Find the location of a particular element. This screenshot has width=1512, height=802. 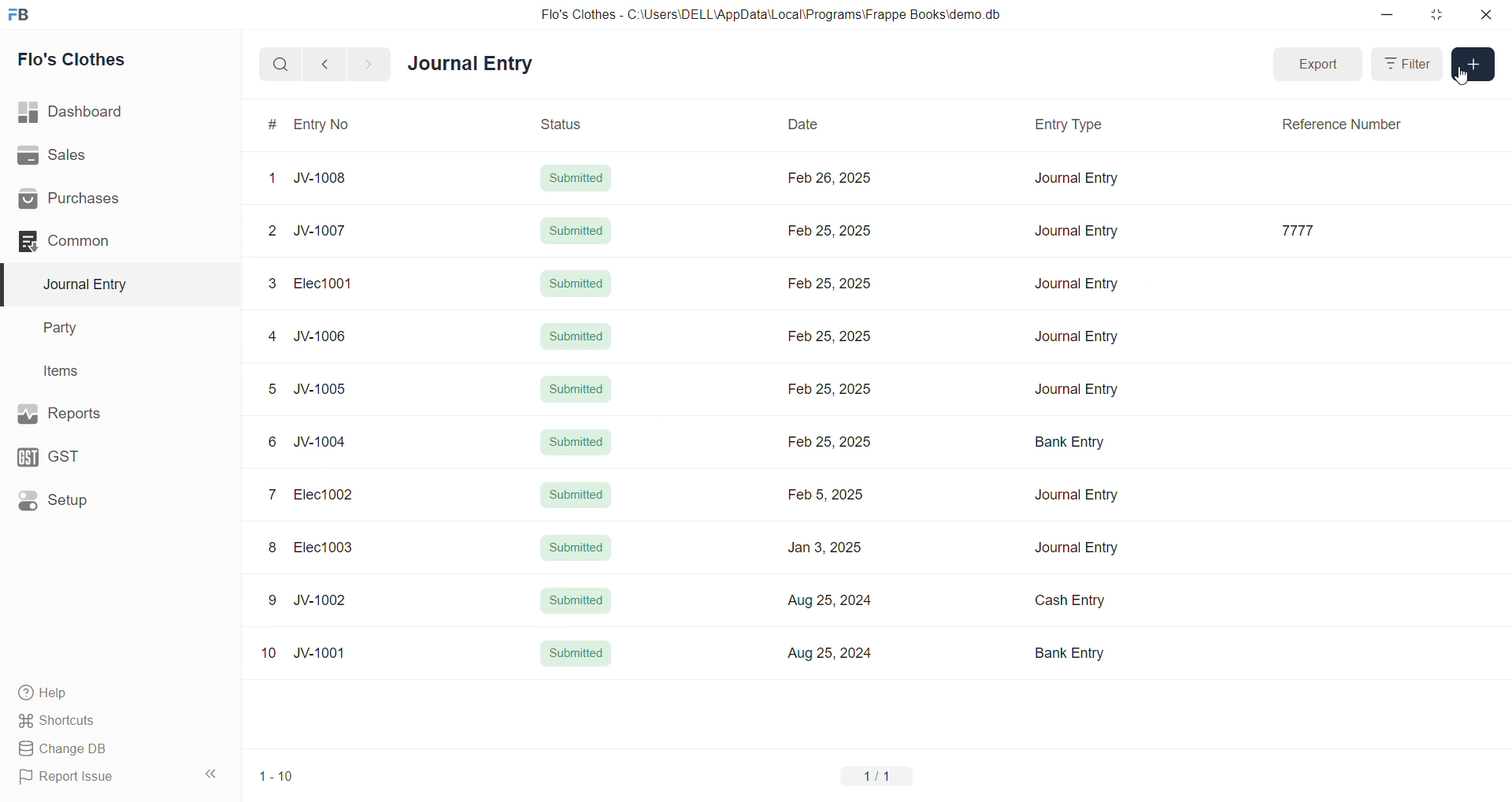

Journal Entry is located at coordinates (1073, 494).